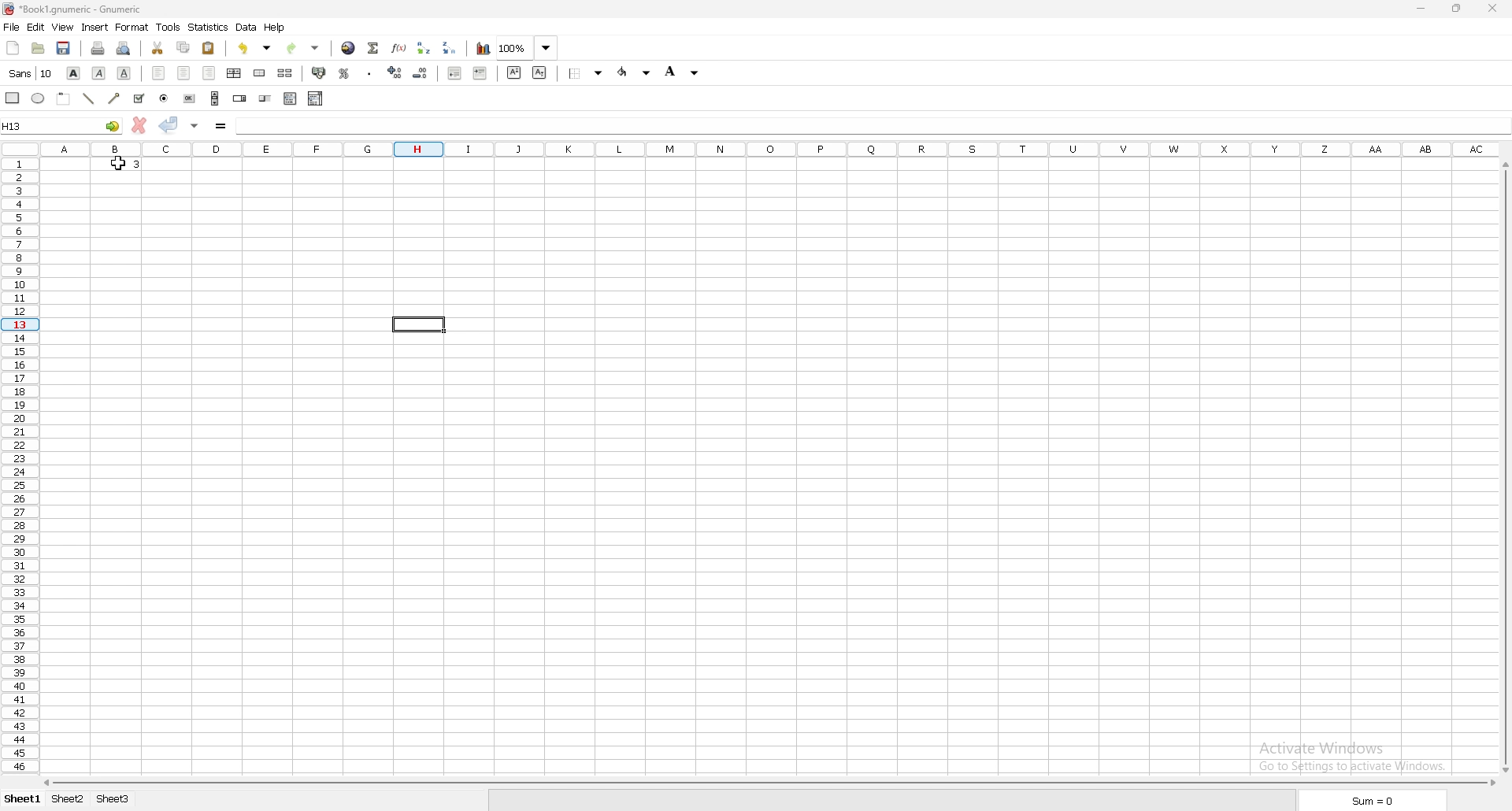 The image size is (1512, 811). I want to click on scroll, so click(215, 98).